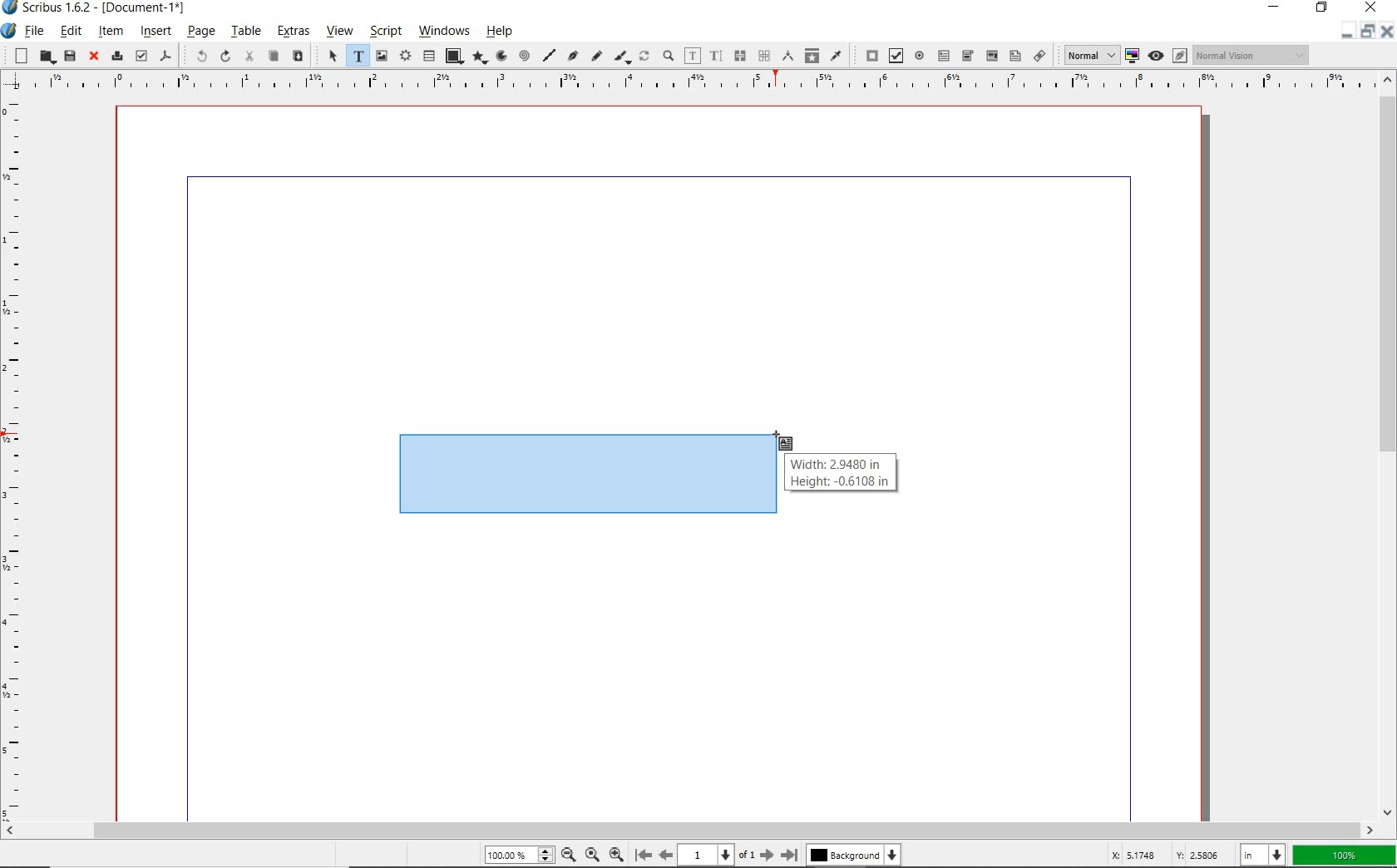 The height and width of the screenshot is (868, 1397). I want to click on preflight verifier, so click(141, 57).